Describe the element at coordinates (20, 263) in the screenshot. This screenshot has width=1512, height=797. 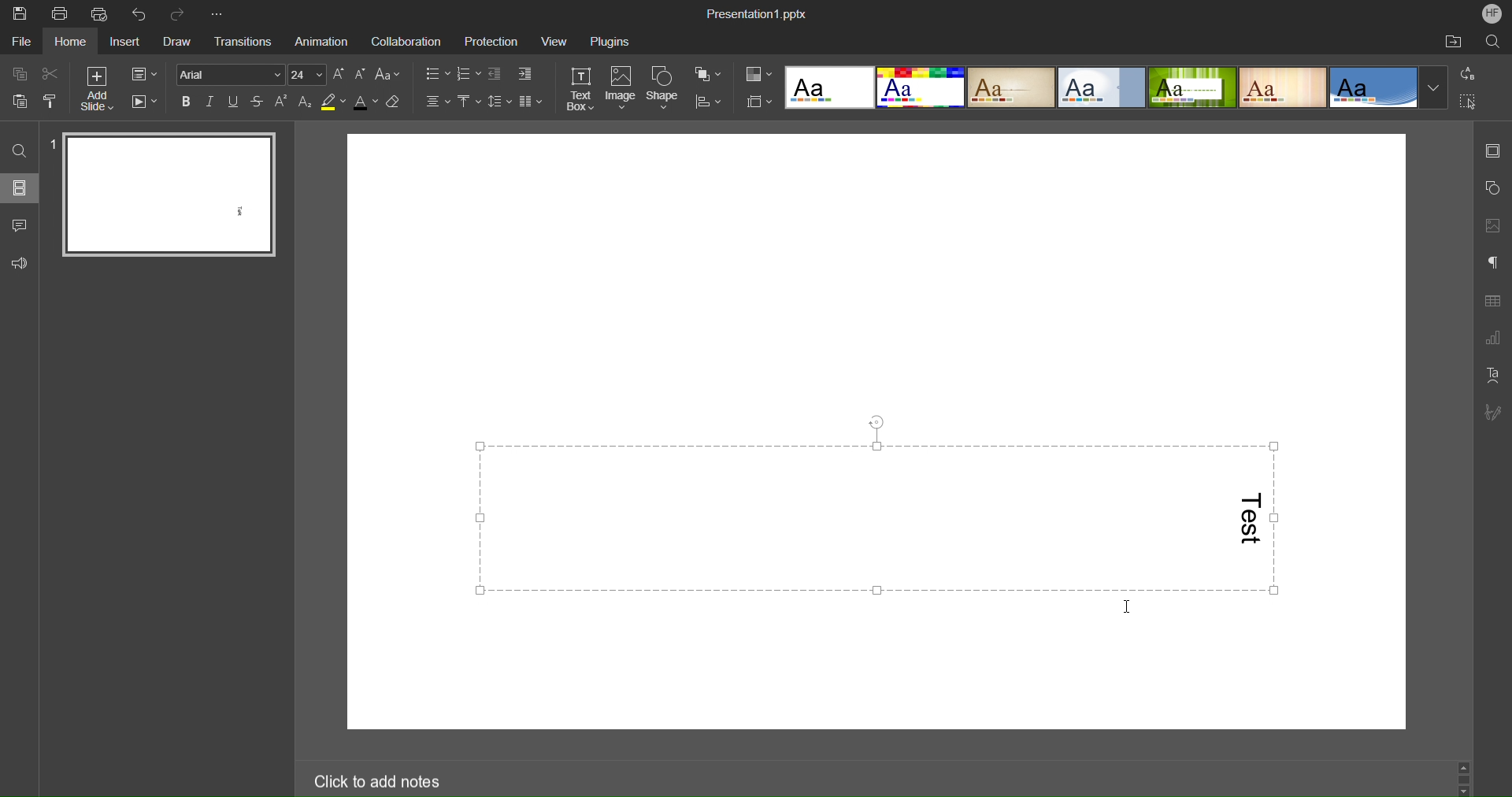
I see `Feedback and Support` at that location.